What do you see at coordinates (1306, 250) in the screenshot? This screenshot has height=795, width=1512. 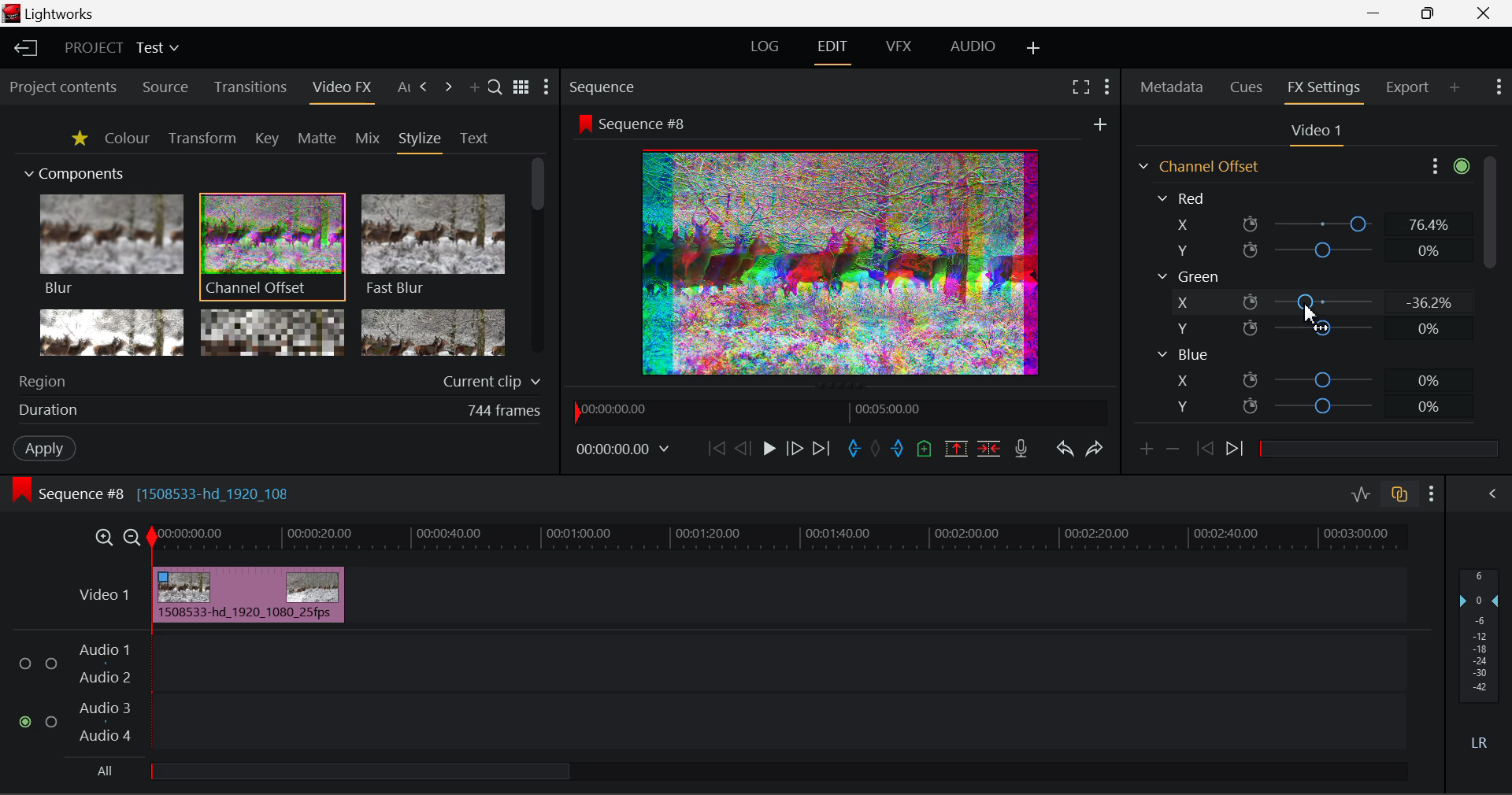 I see `Red Y` at bounding box center [1306, 250].